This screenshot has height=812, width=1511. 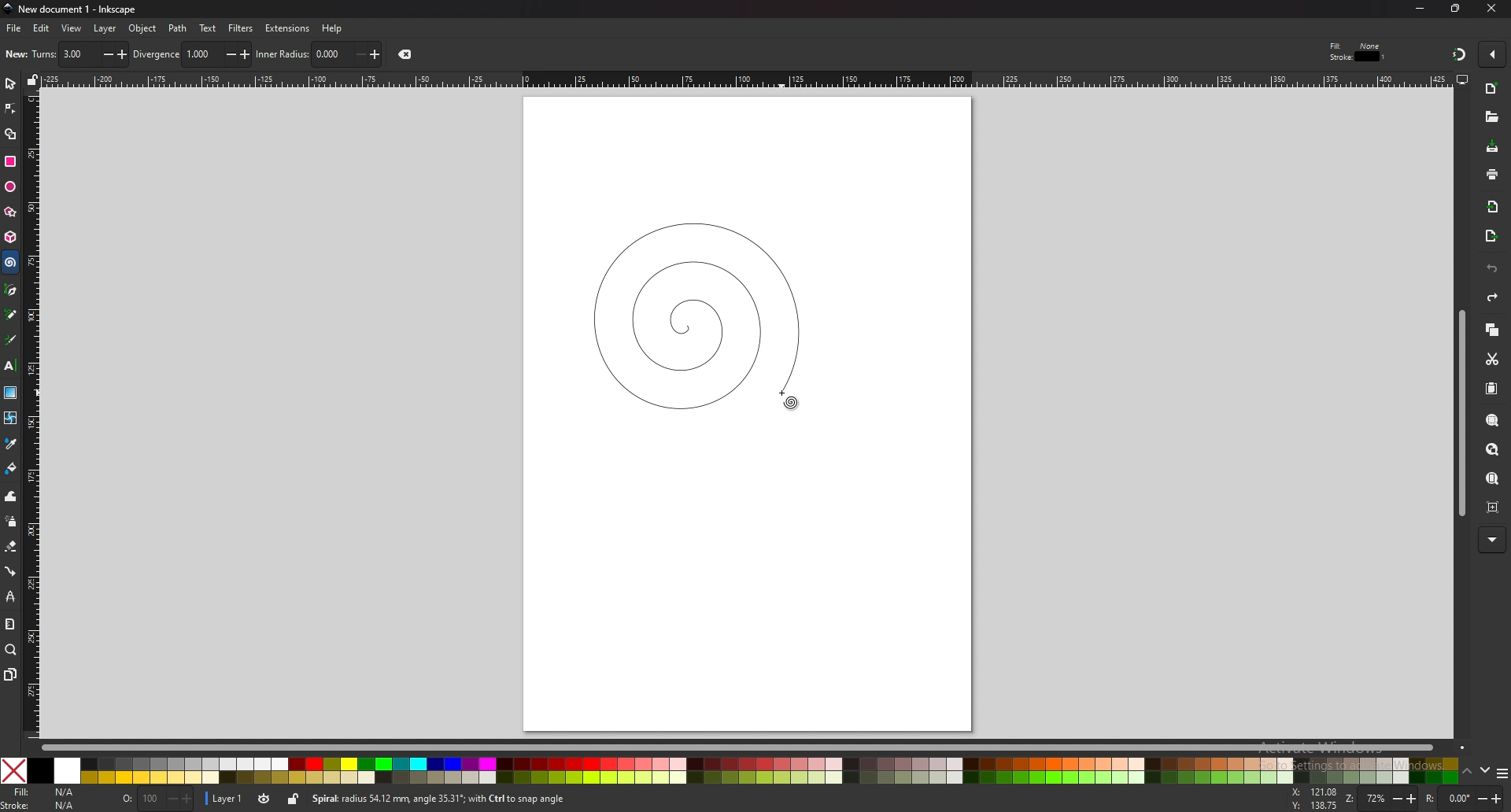 What do you see at coordinates (11, 674) in the screenshot?
I see `pages` at bounding box center [11, 674].